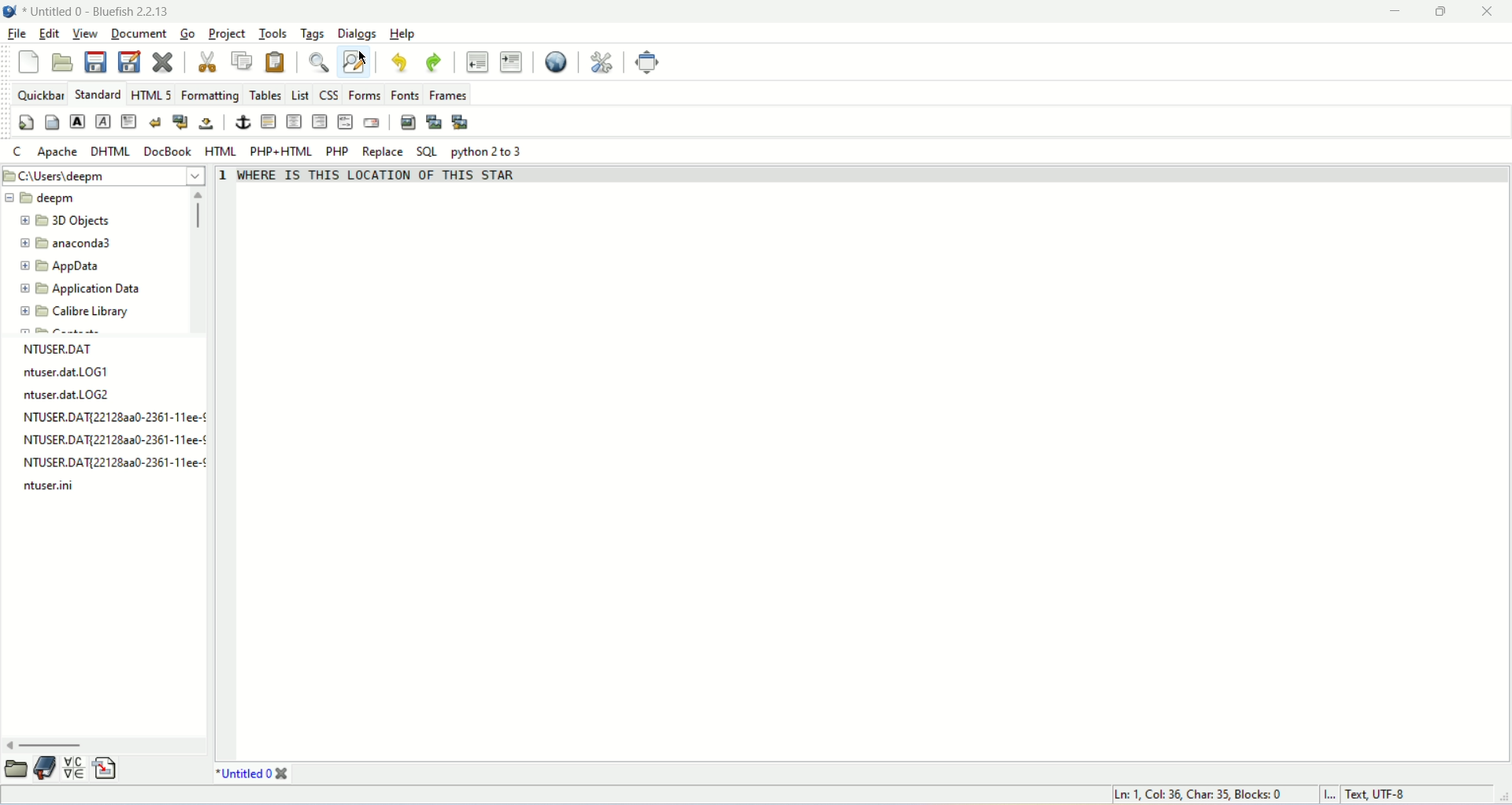 The height and width of the screenshot is (805, 1512). I want to click on email, so click(372, 122).